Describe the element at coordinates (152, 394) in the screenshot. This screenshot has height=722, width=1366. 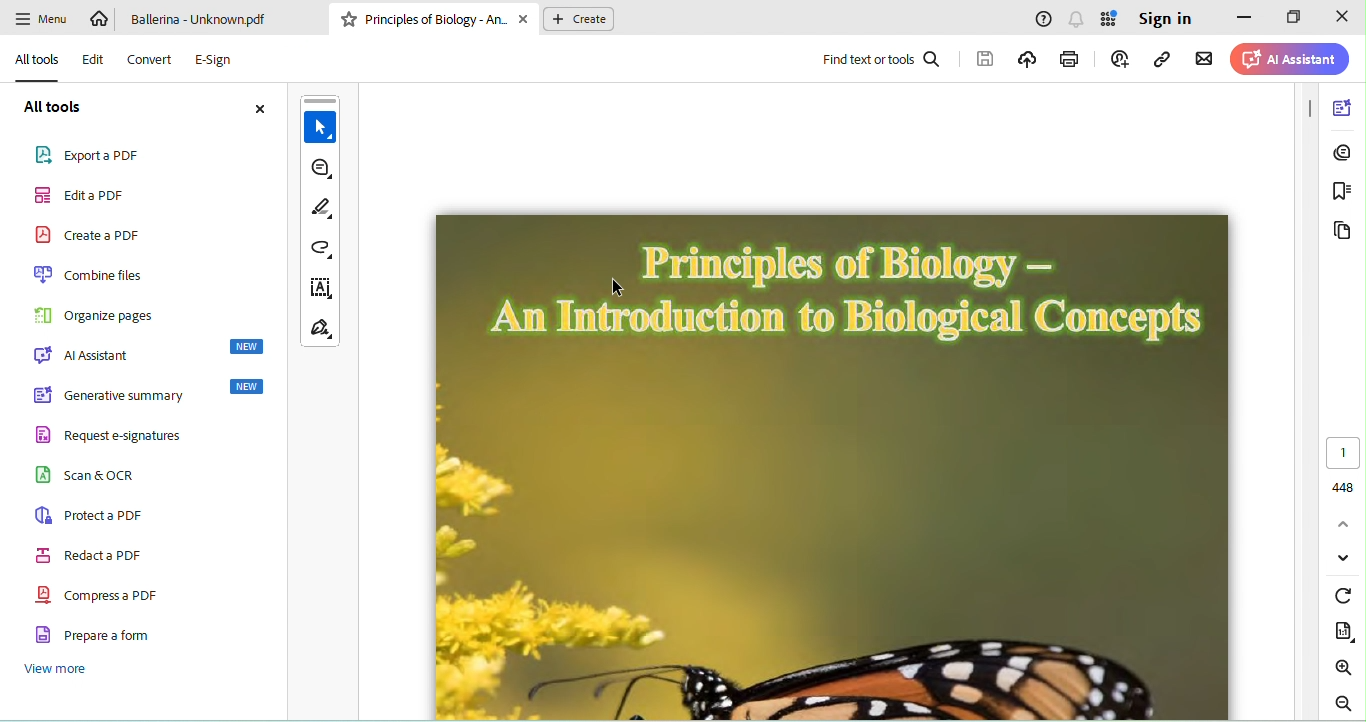
I see `generative summery   NEW` at that location.